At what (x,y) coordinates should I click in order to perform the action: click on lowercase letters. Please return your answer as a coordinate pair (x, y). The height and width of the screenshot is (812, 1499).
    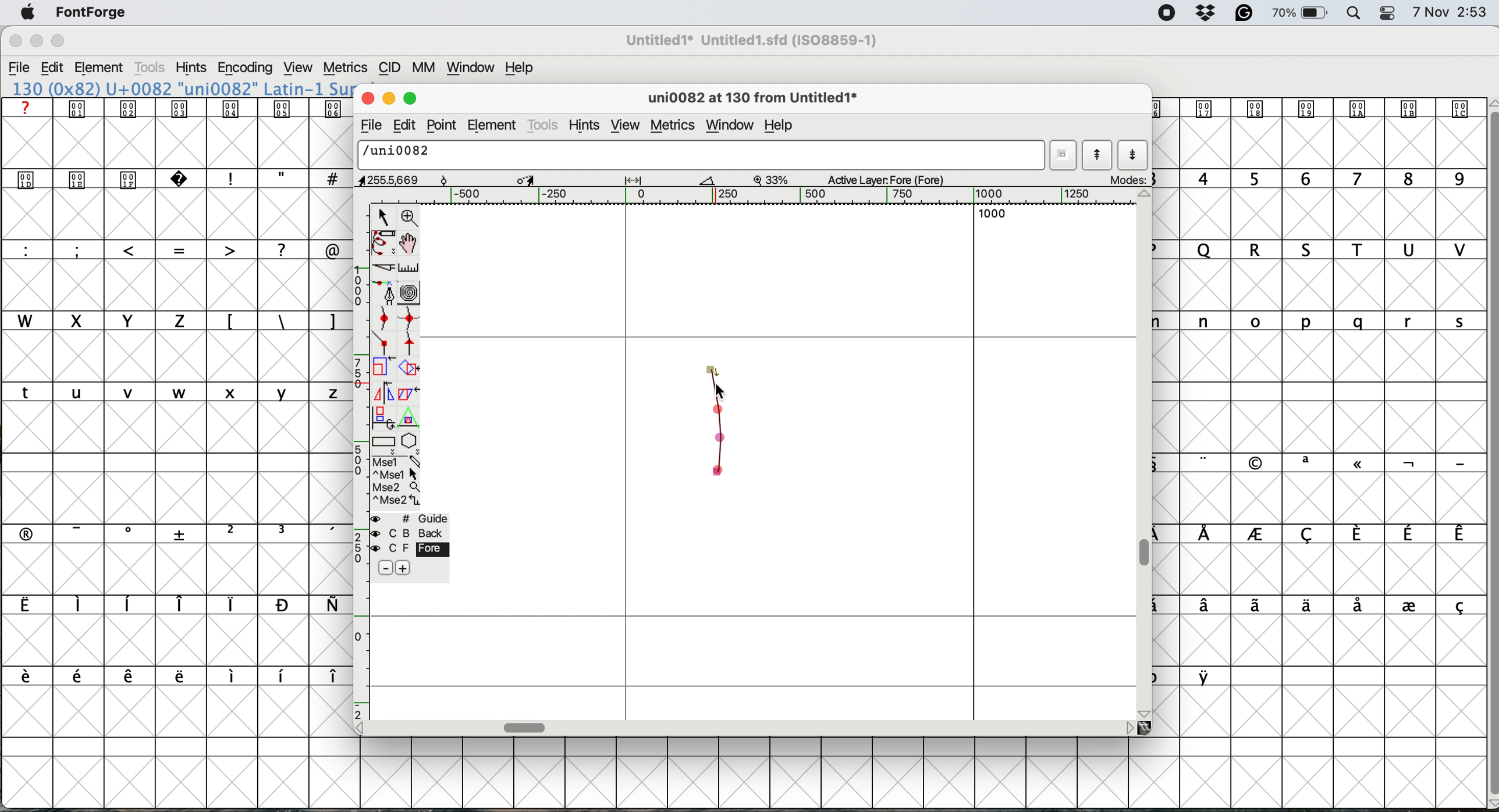
    Looking at the image, I should click on (171, 393).